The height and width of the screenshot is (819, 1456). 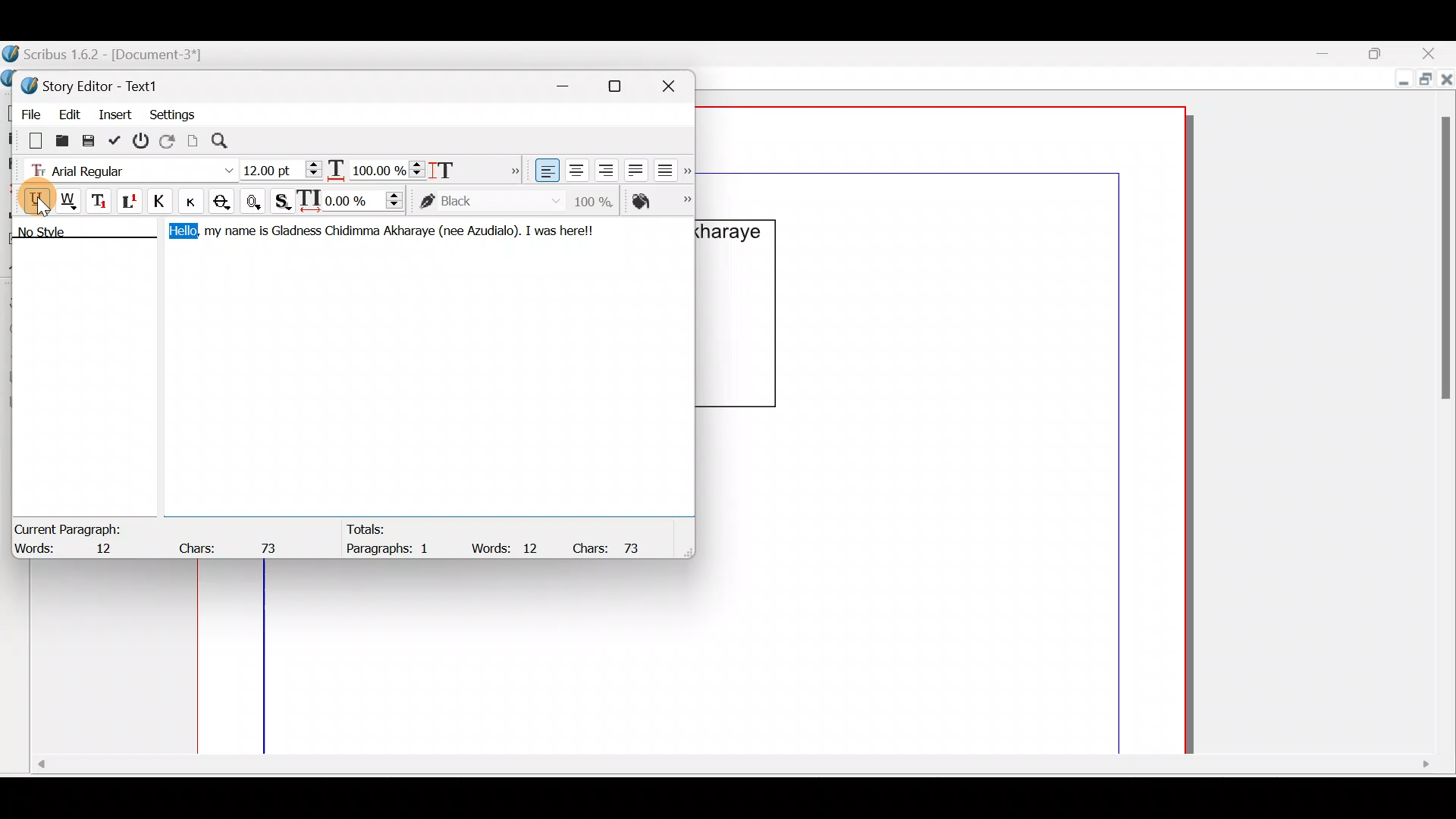 What do you see at coordinates (72, 550) in the screenshot?
I see `Words: 12` at bounding box center [72, 550].